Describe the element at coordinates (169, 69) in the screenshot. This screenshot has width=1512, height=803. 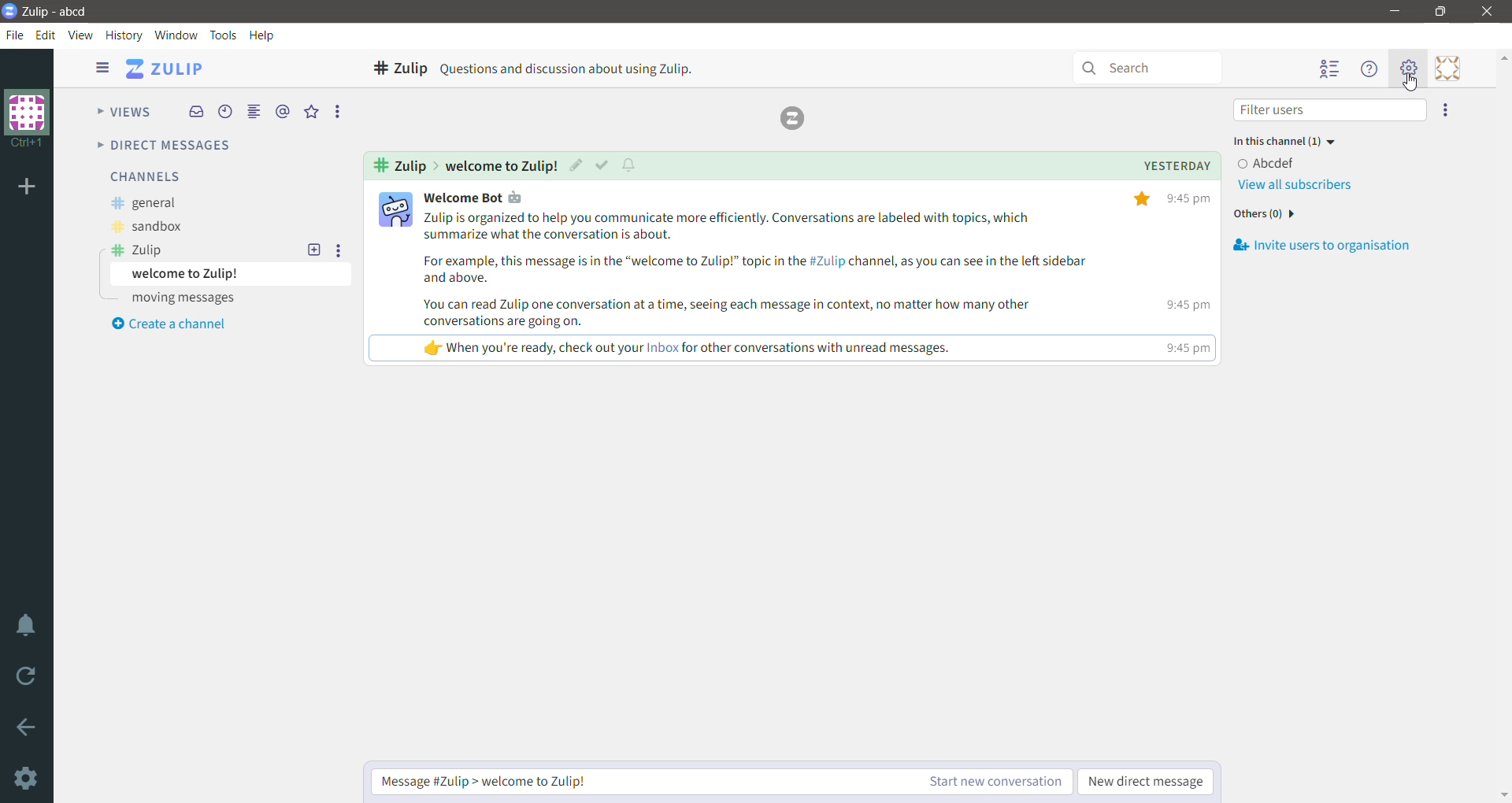
I see `ZULIP(Application Name)` at that location.